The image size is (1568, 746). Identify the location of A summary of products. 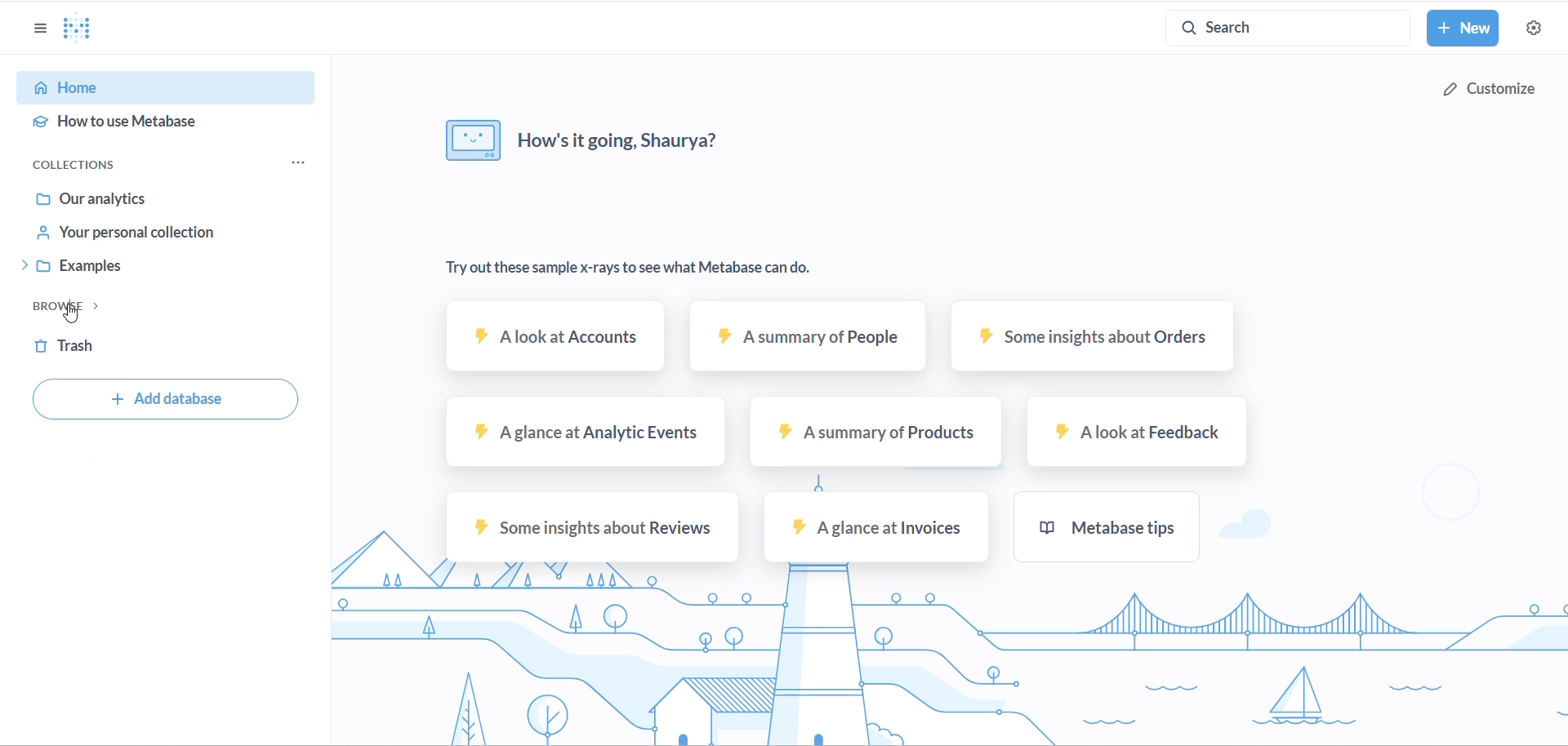
(871, 440).